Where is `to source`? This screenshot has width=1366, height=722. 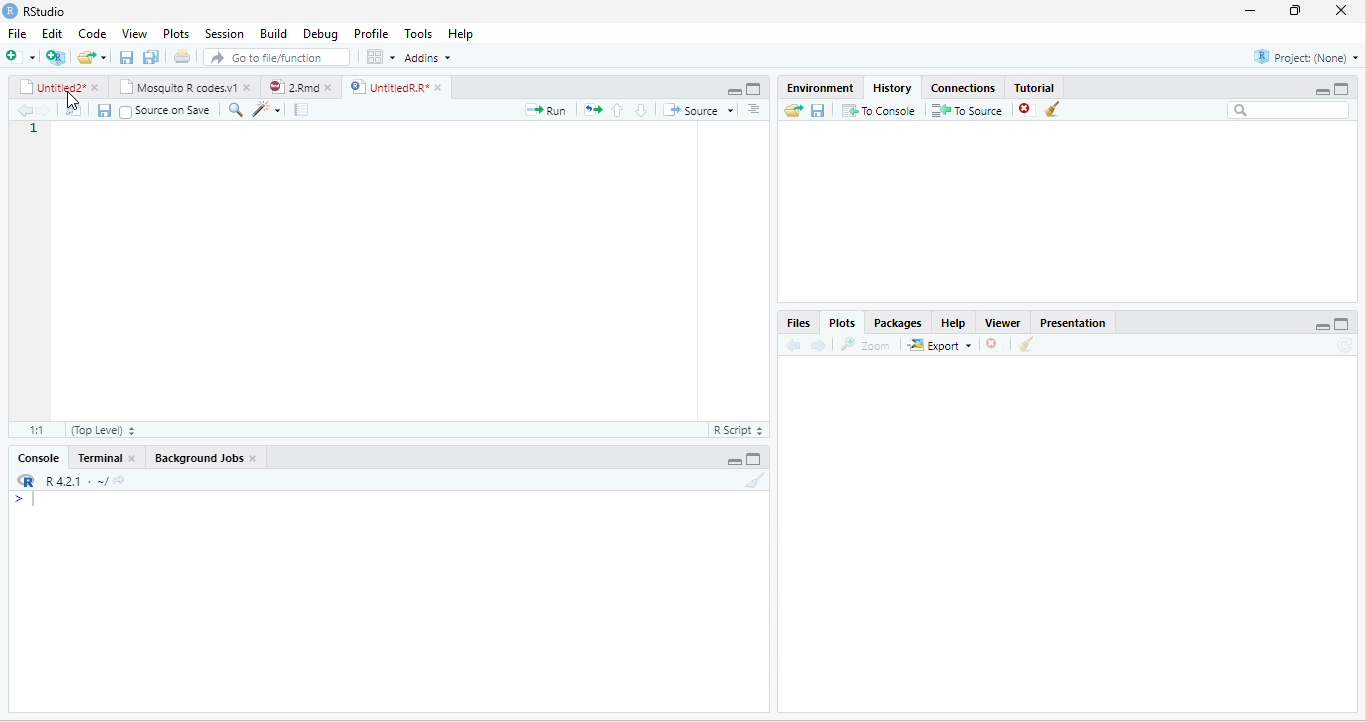 to source is located at coordinates (965, 111).